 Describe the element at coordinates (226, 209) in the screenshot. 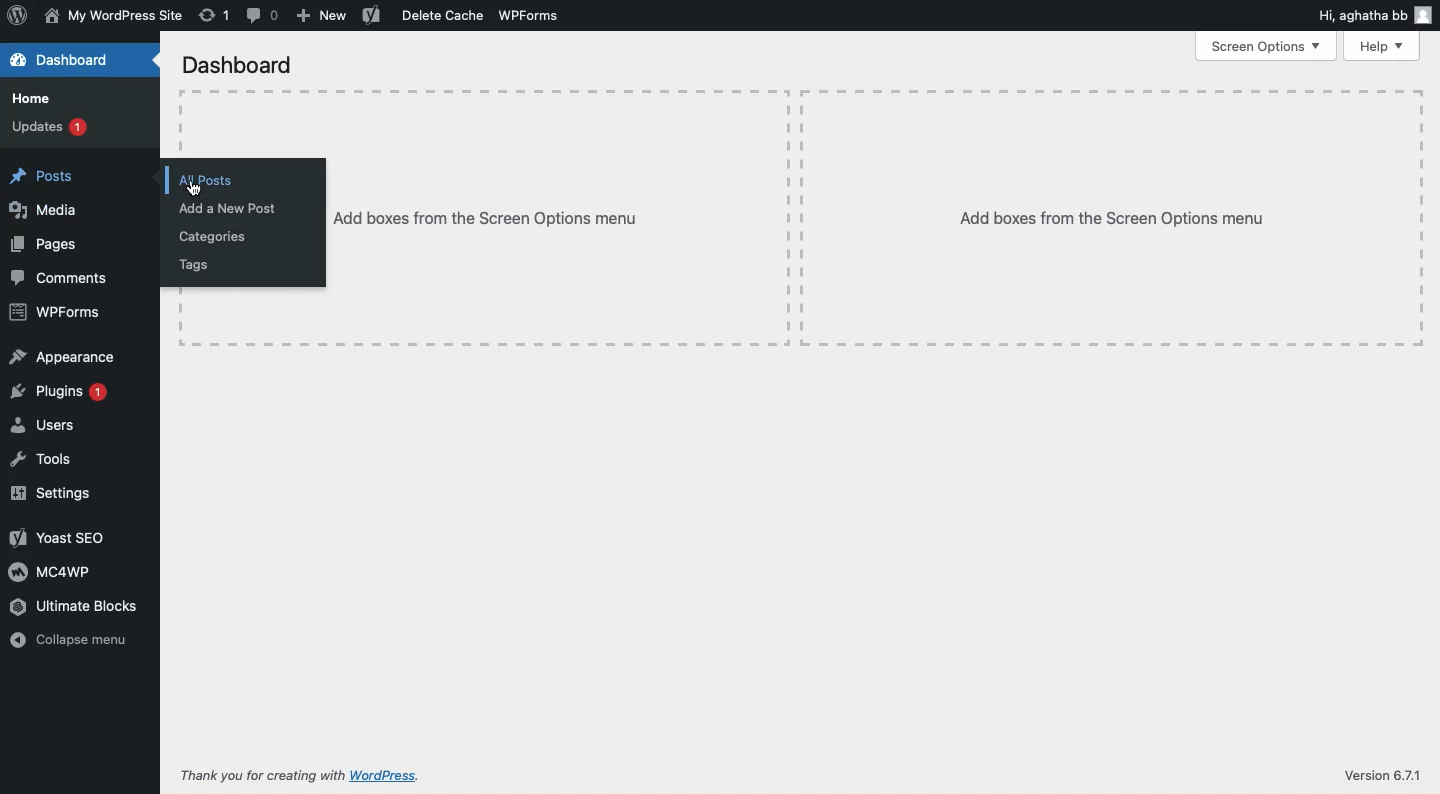

I see `Add a new post` at that location.